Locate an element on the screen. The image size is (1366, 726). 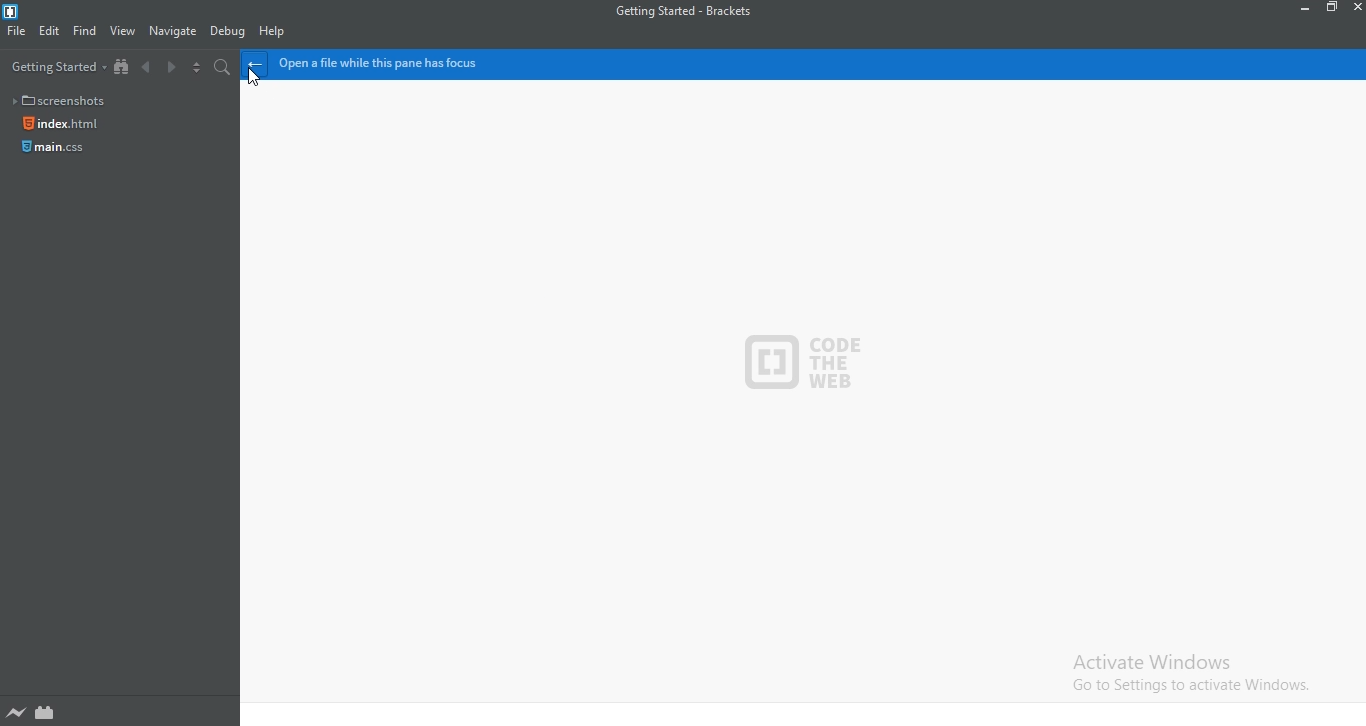
code editor is located at coordinates (801, 405).